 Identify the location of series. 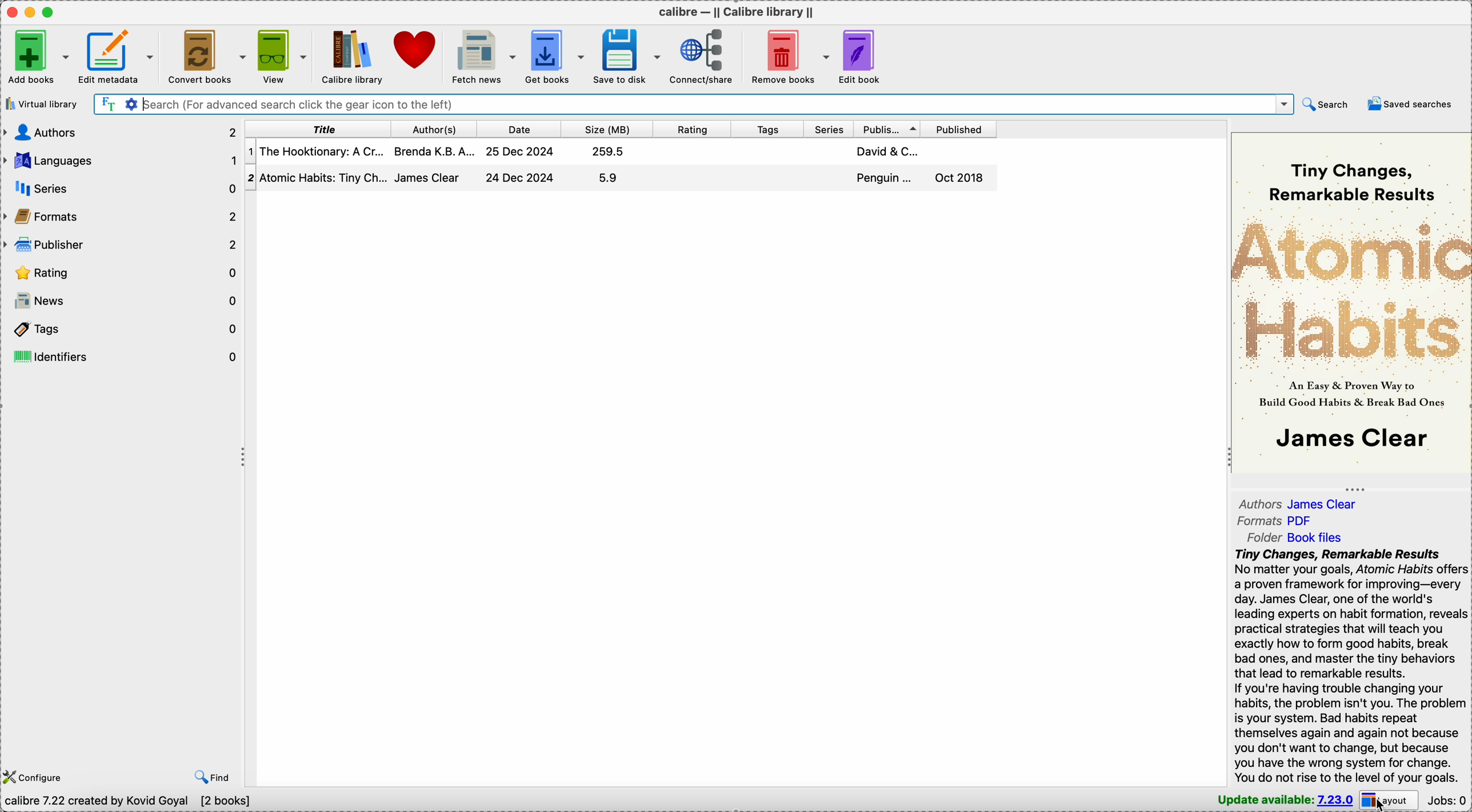
(831, 129).